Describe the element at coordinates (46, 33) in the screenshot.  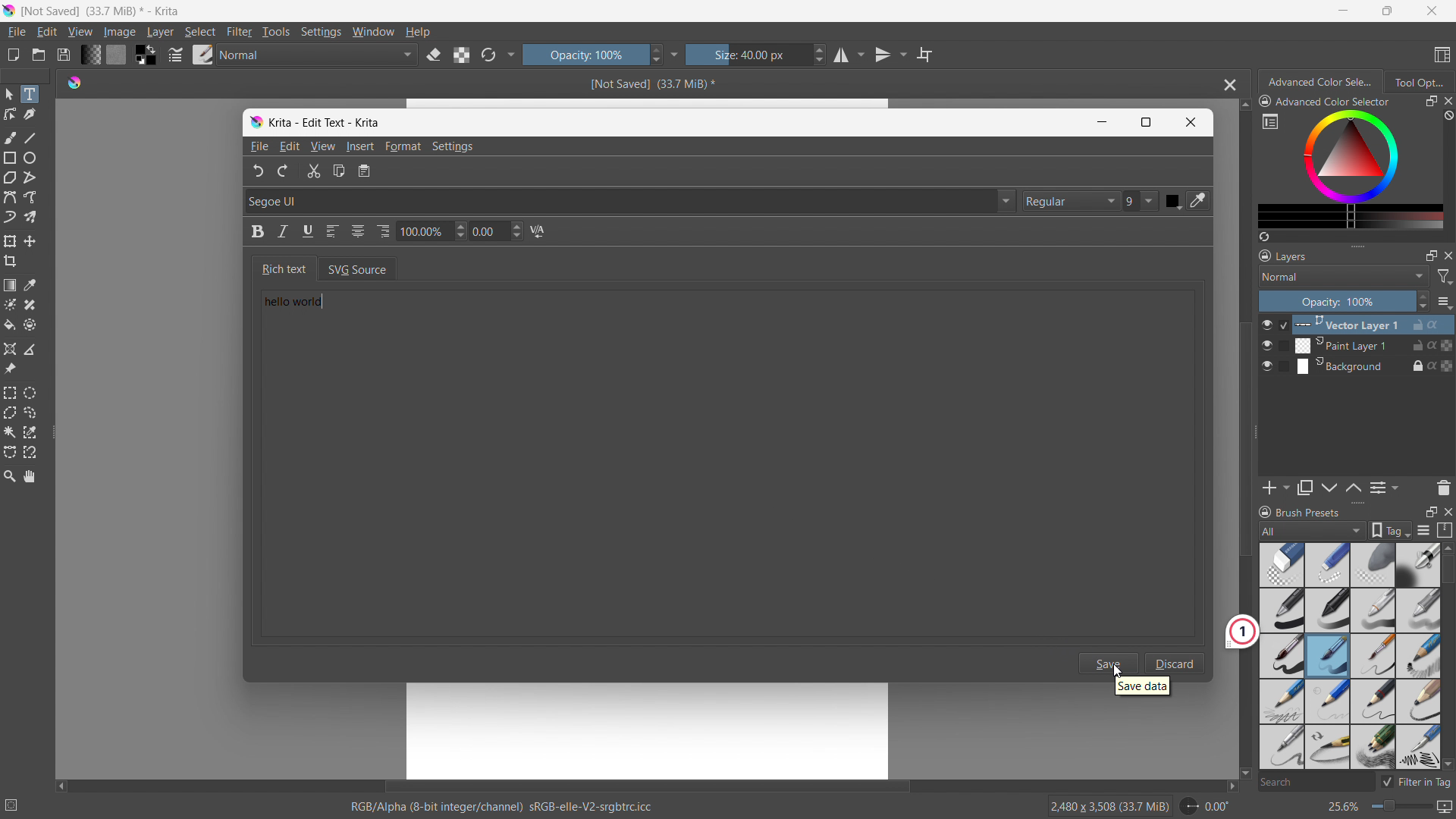
I see `edit` at that location.